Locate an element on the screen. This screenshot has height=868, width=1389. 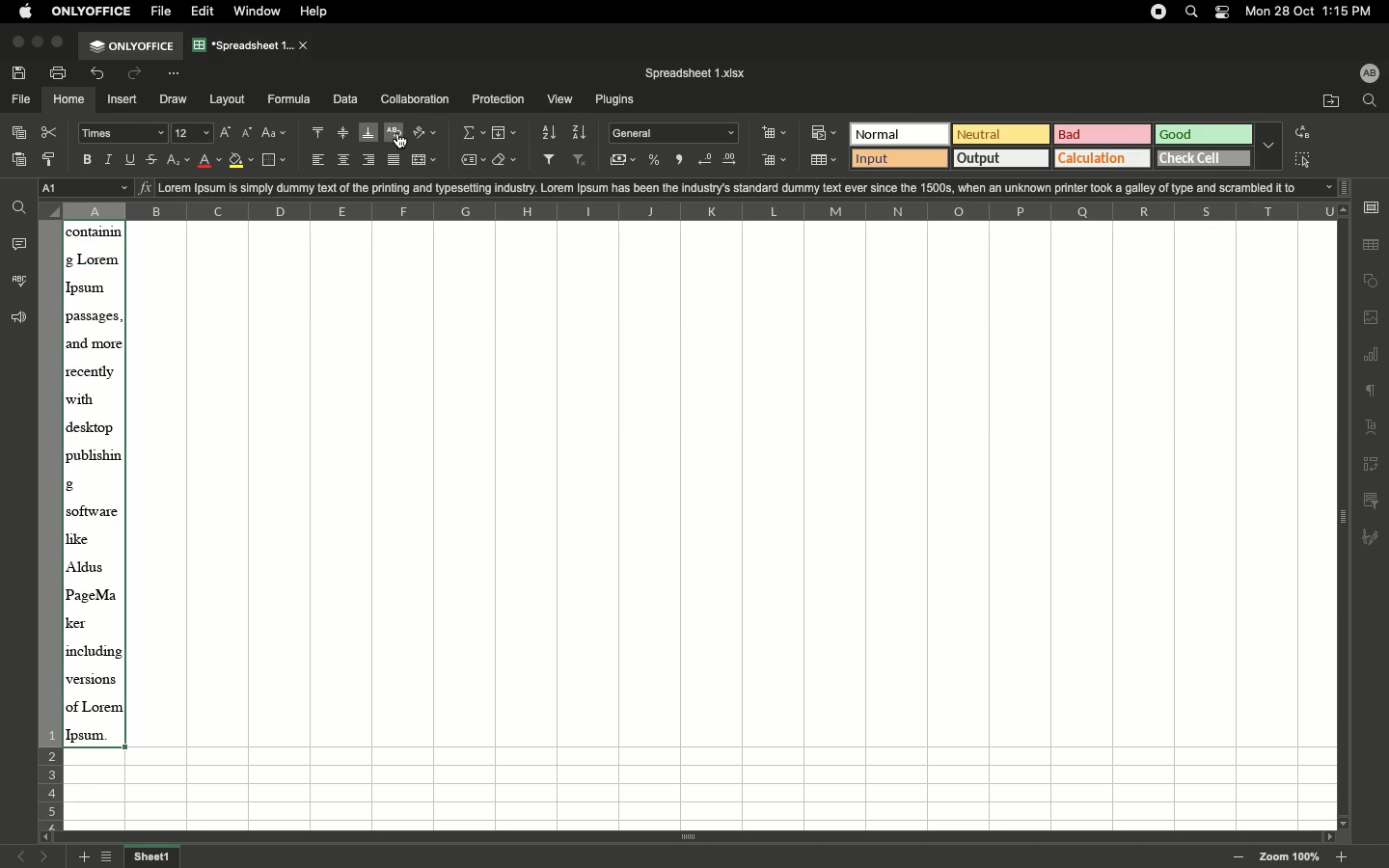
Open file location is located at coordinates (1329, 101).